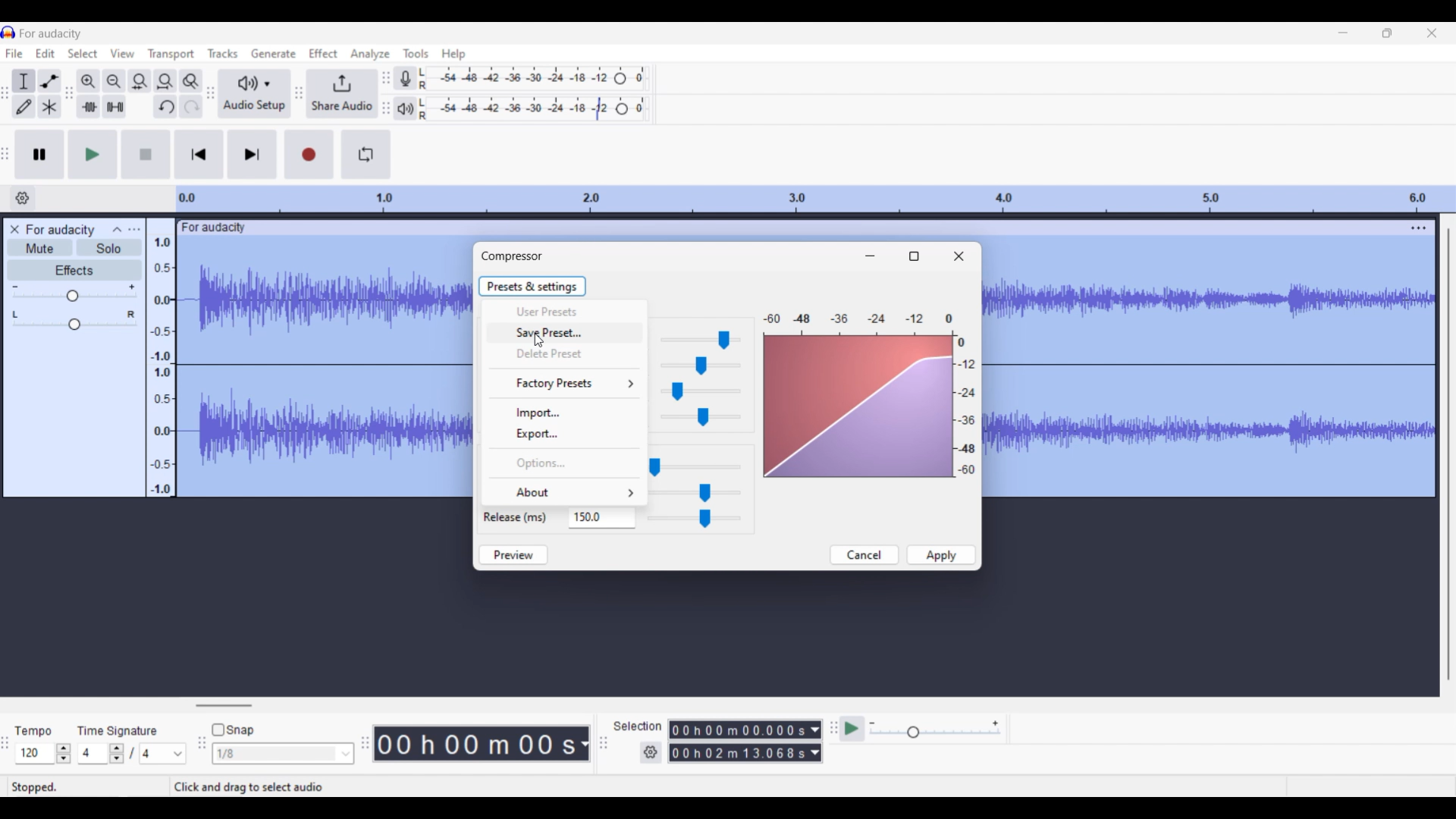 Image resolution: width=1456 pixels, height=819 pixels. I want to click on 00 h 00 m 00 s, so click(475, 743).